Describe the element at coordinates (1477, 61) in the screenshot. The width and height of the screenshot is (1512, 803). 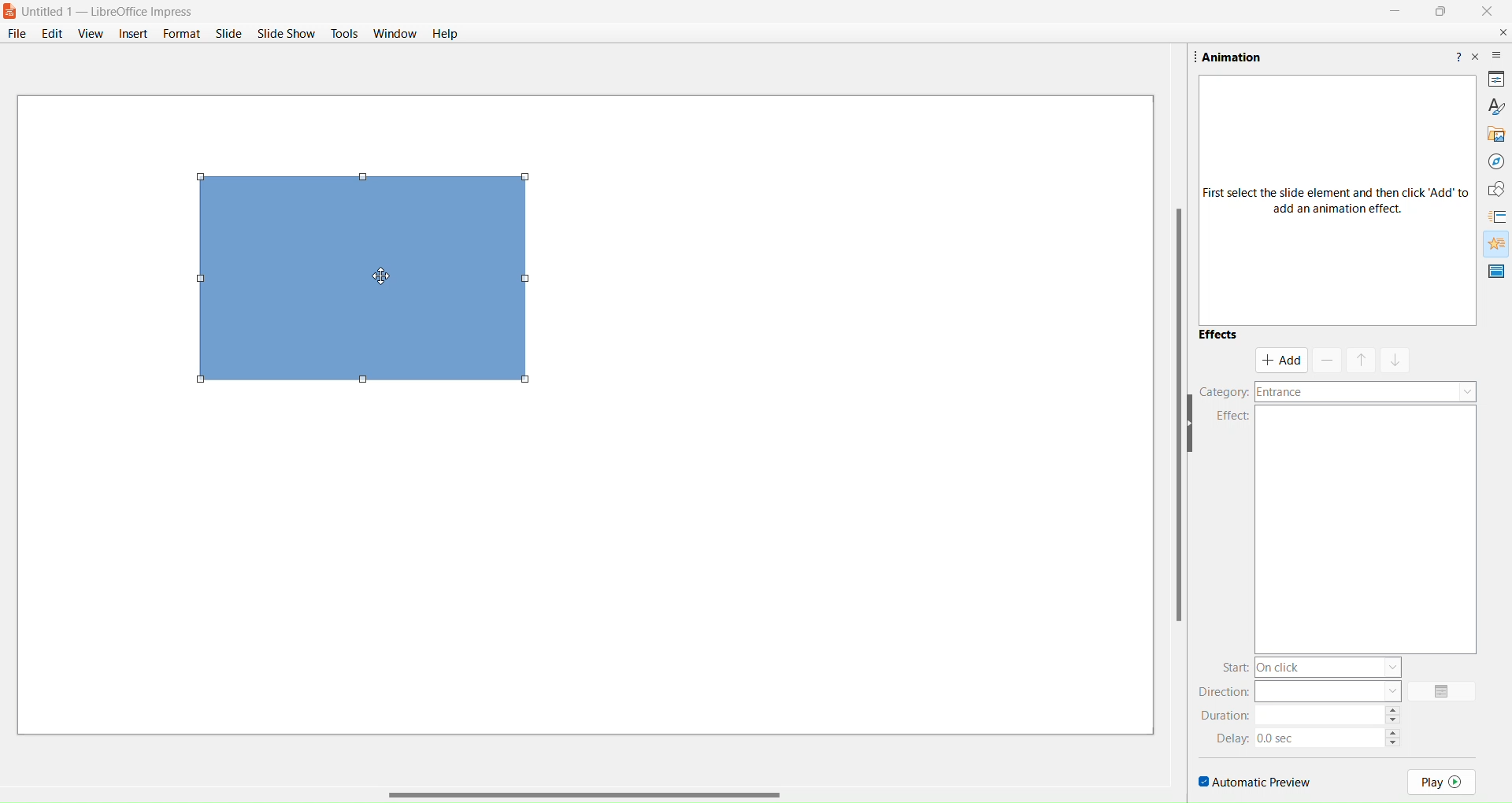
I see `close pane` at that location.